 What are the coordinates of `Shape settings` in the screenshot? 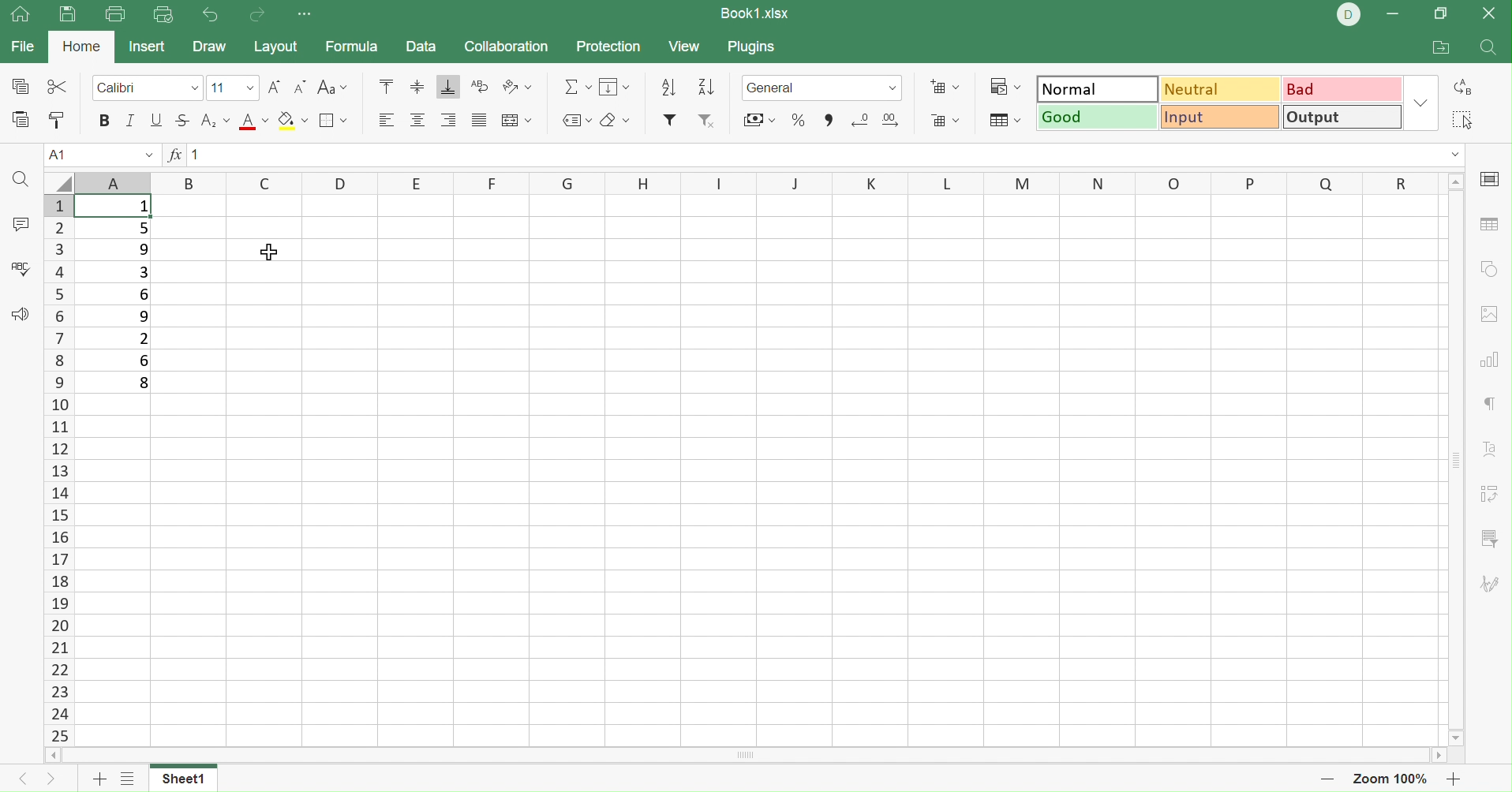 It's located at (1491, 271).